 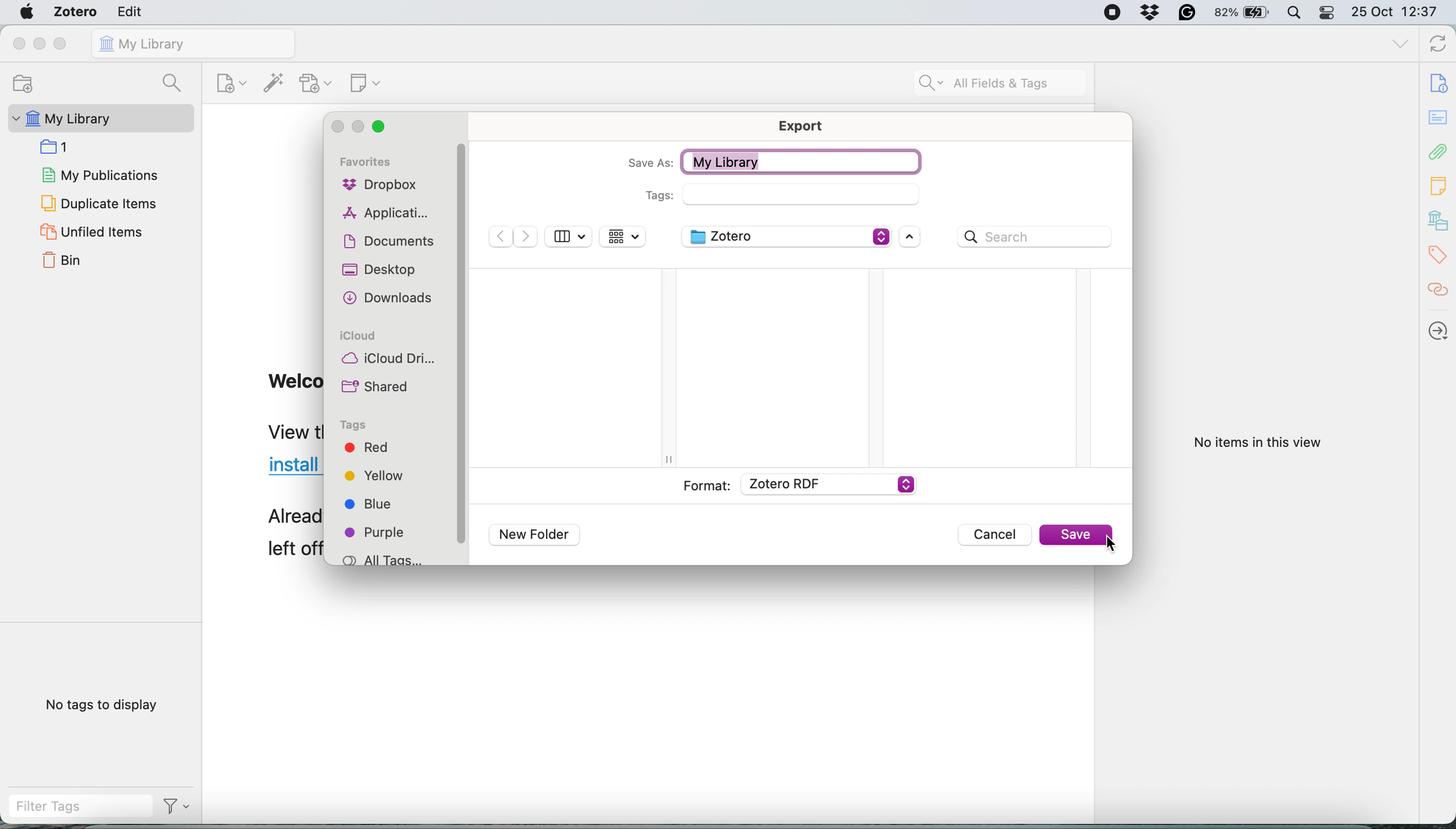 I want to click on Move Up, so click(x=909, y=237).